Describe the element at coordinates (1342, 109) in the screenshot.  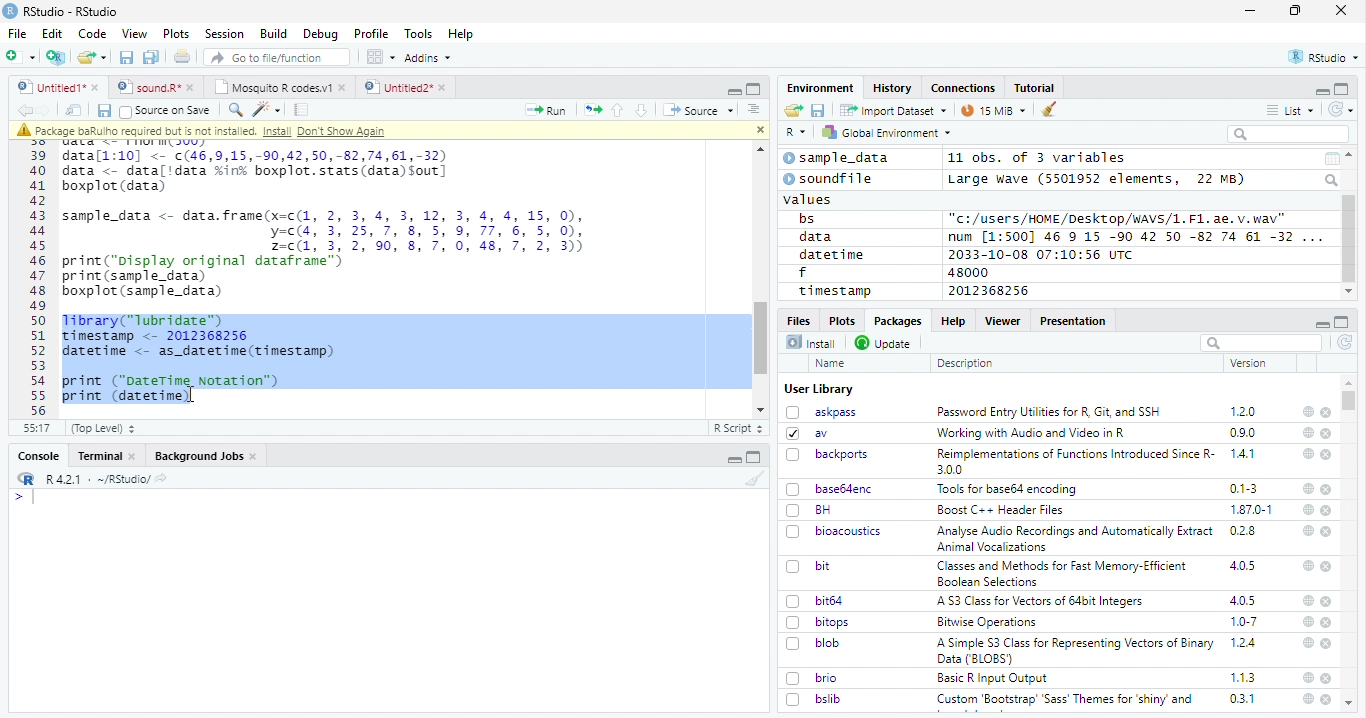
I see `Refresh` at that location.